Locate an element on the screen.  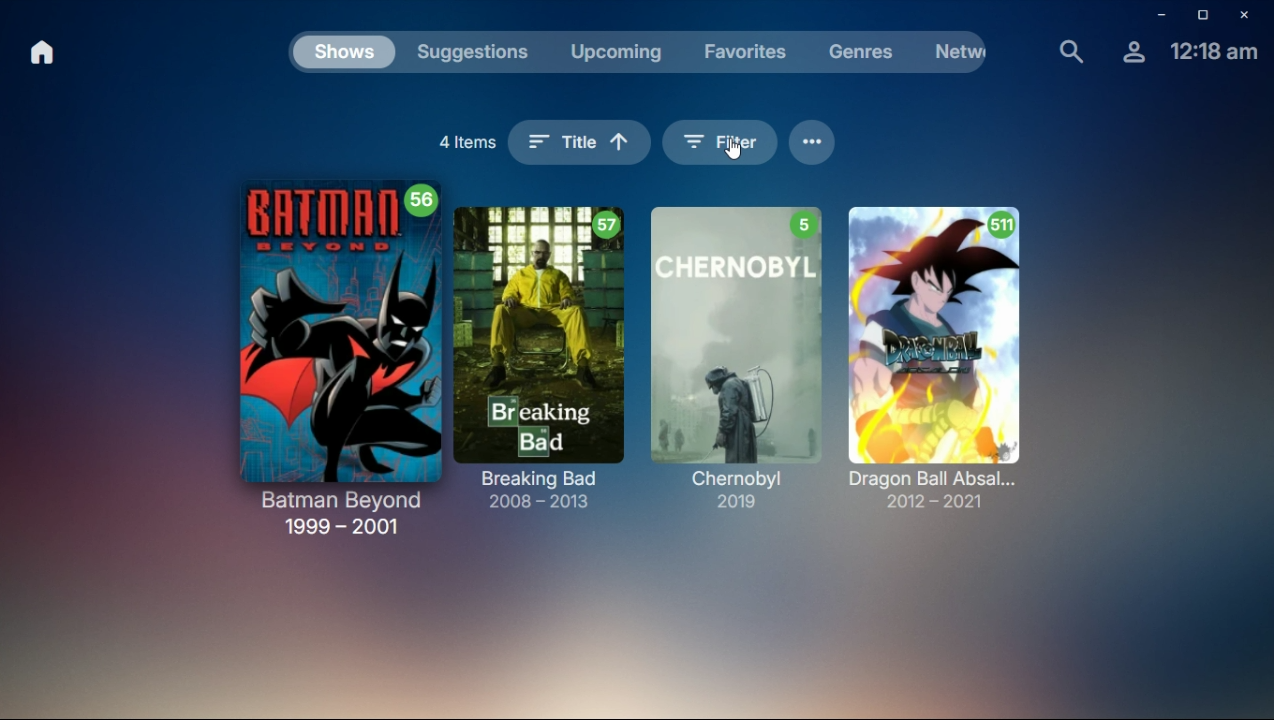
batman beyond - 1999 -201 is located at coordinates (344, 356).